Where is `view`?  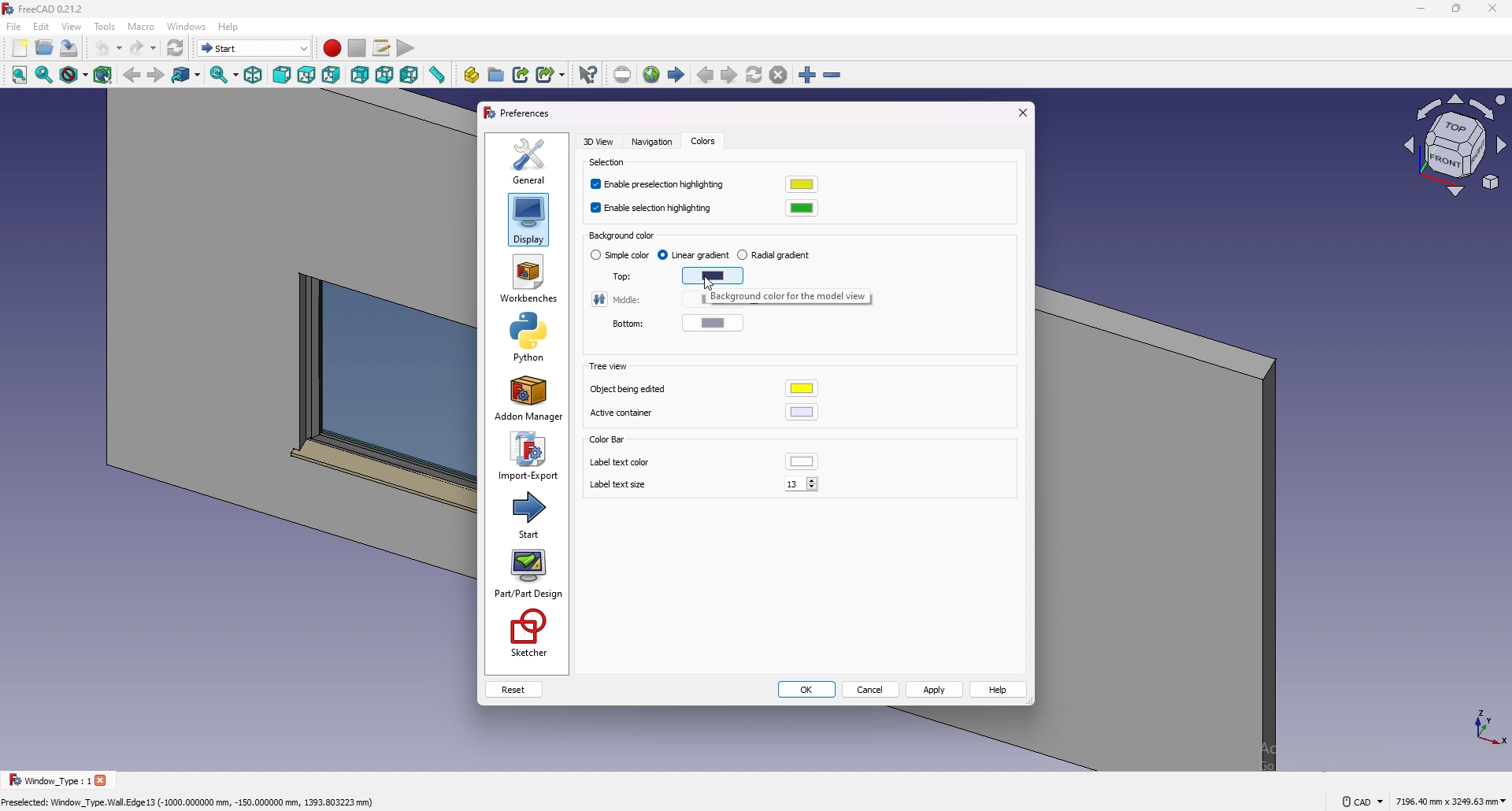 view is located at coordinates (72, 26).